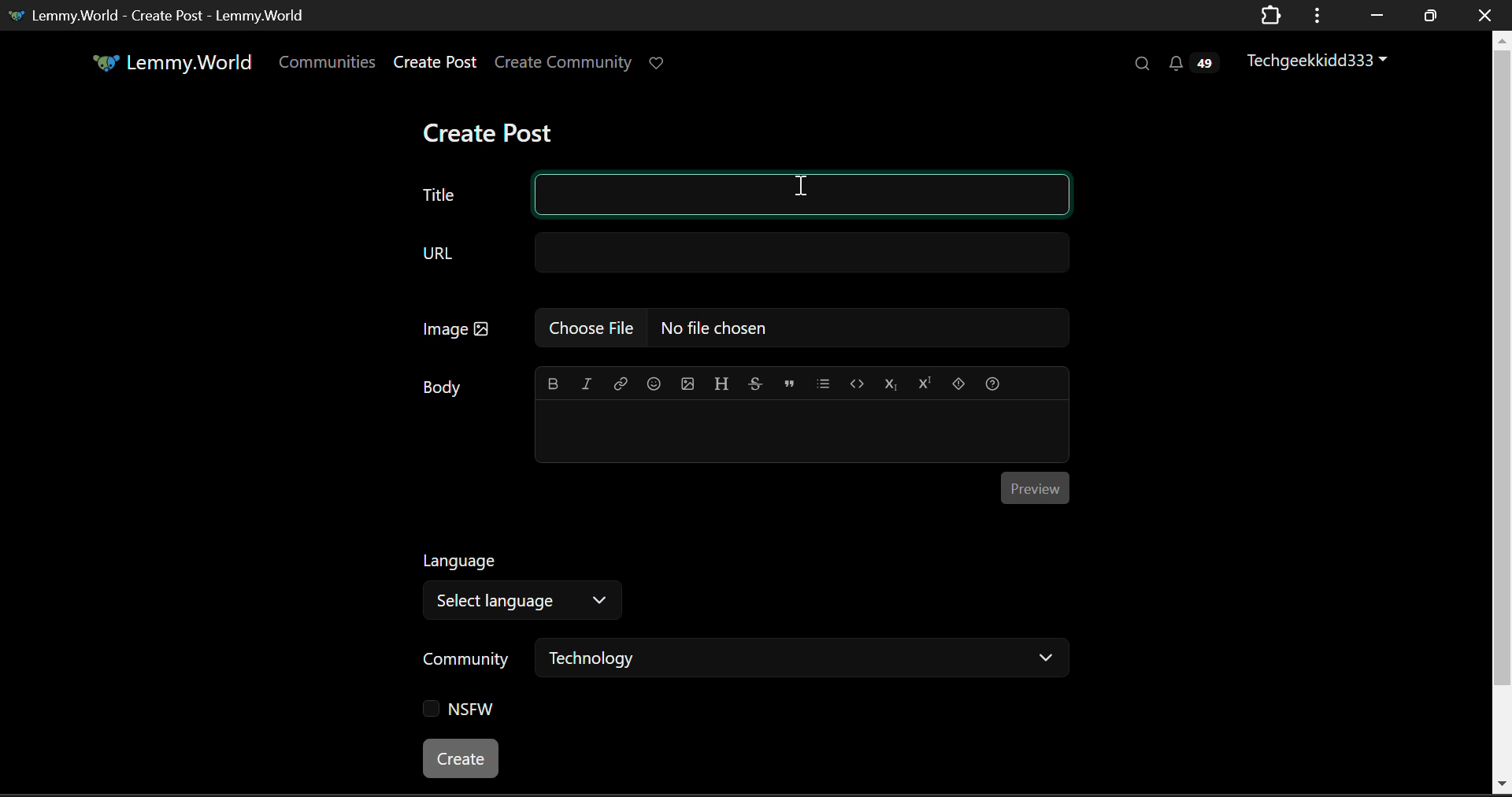 This screenshot has height=797, width=1512. Describe the element at coordinates (443, 388) in the screenshot. I see `Body` at that location.